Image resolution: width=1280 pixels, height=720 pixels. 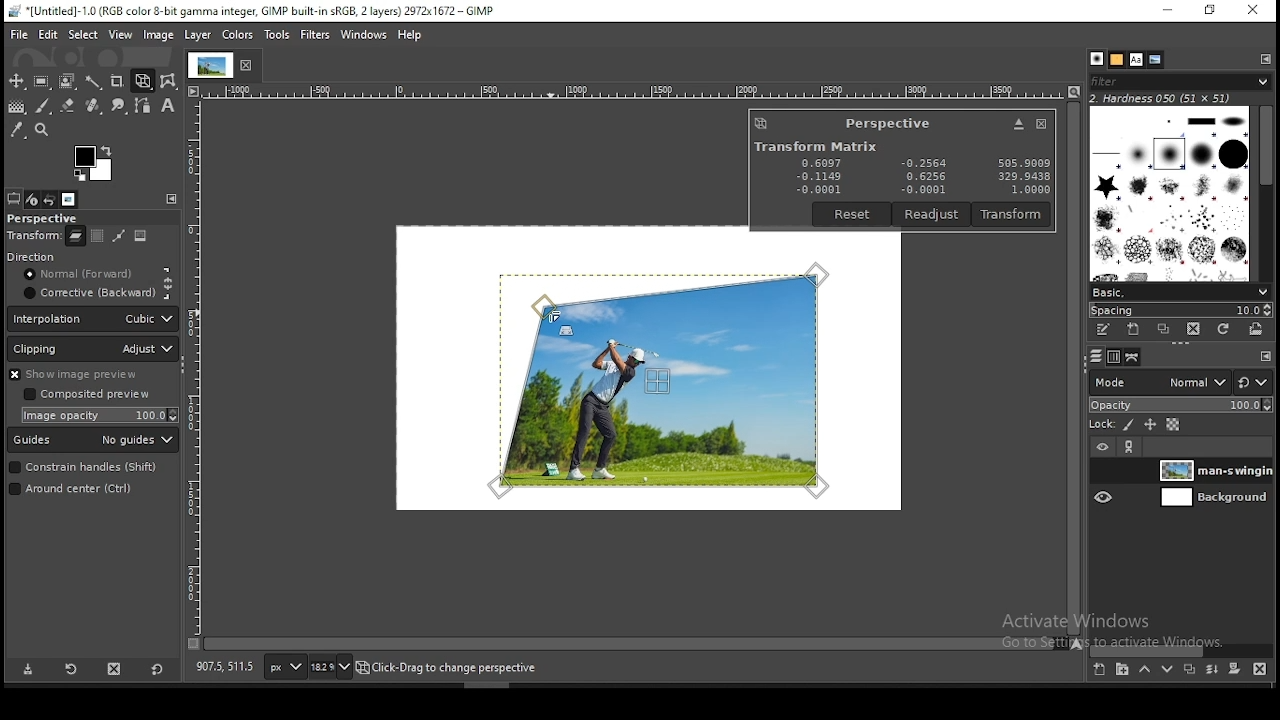 What do you see at coordinates (277, 32) in the screenshot?
I see `tools` at bounding box center [277, 32].